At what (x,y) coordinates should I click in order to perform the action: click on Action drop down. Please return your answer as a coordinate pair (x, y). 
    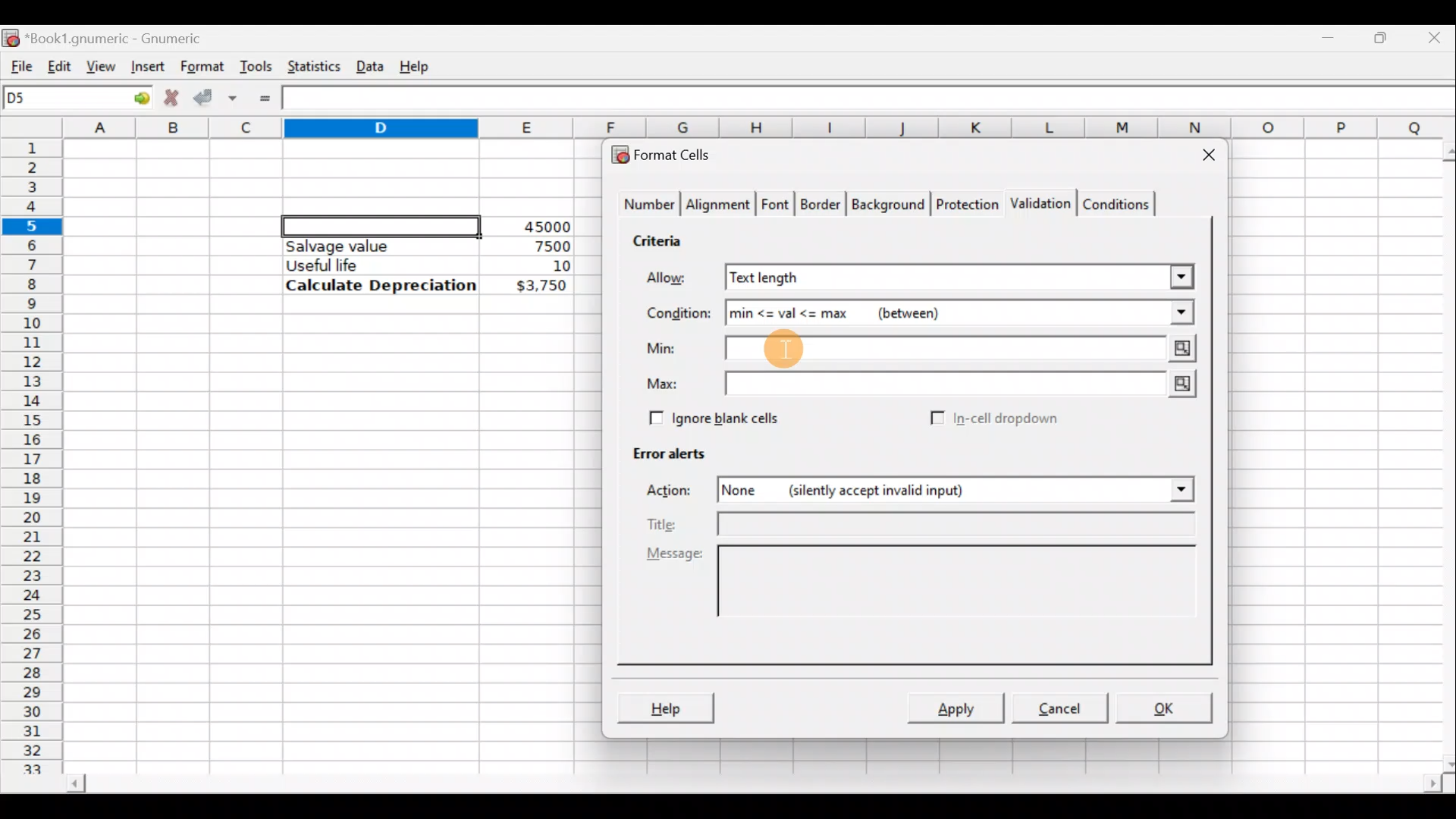
    Looking at the image, I should click on (1169, 490).